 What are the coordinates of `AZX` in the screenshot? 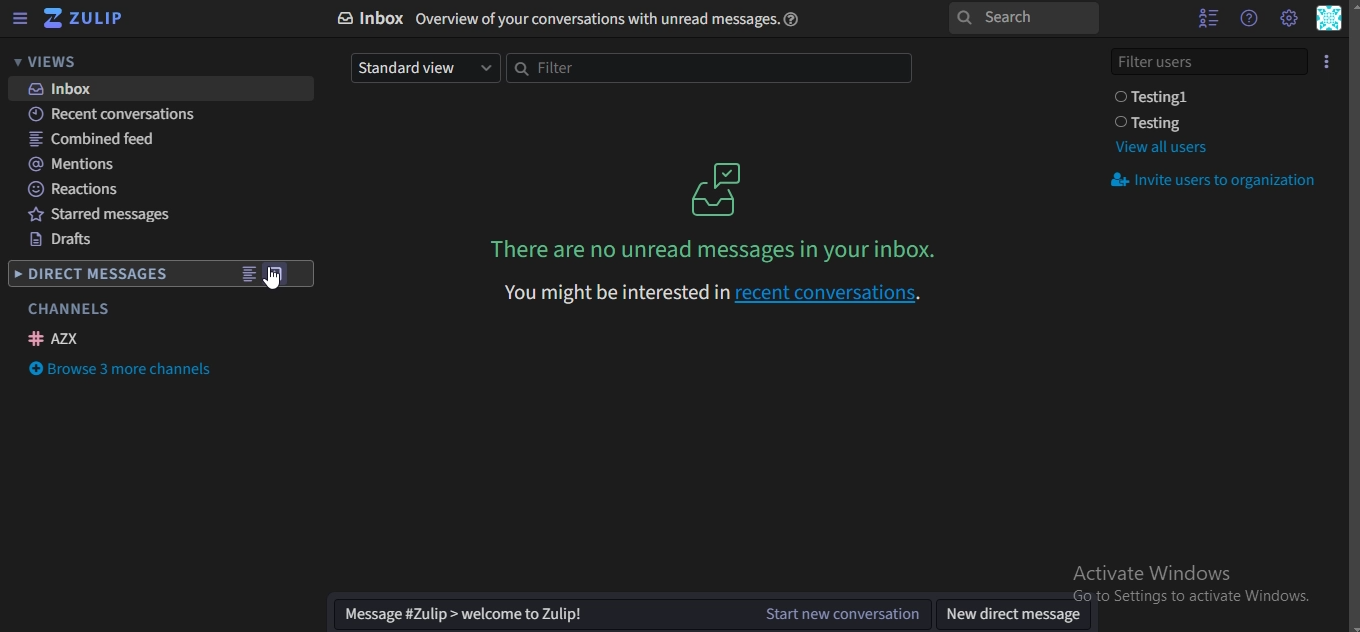 It's located at (57, 338).